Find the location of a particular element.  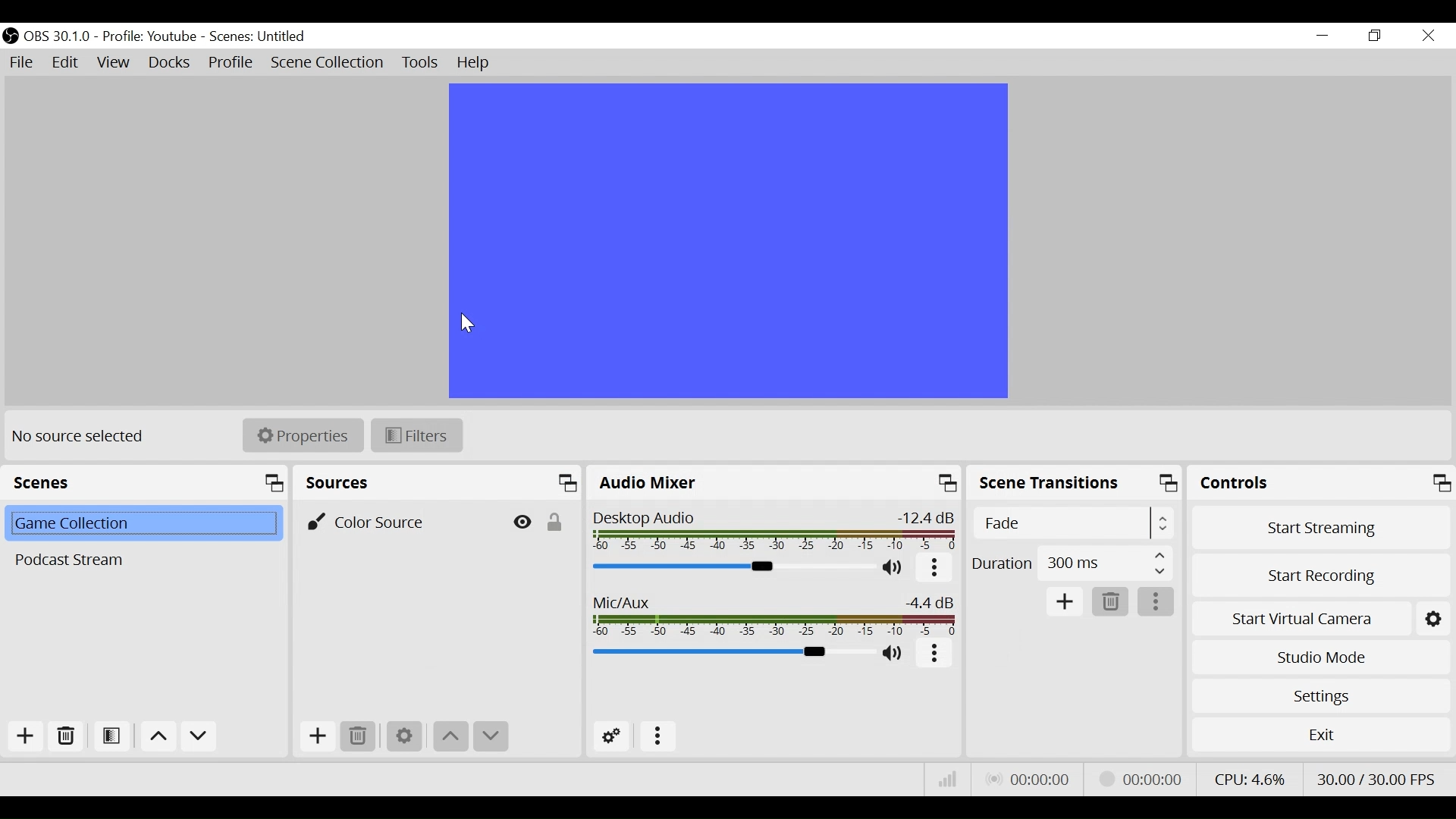

Close is located at coordinates (1429, 36).